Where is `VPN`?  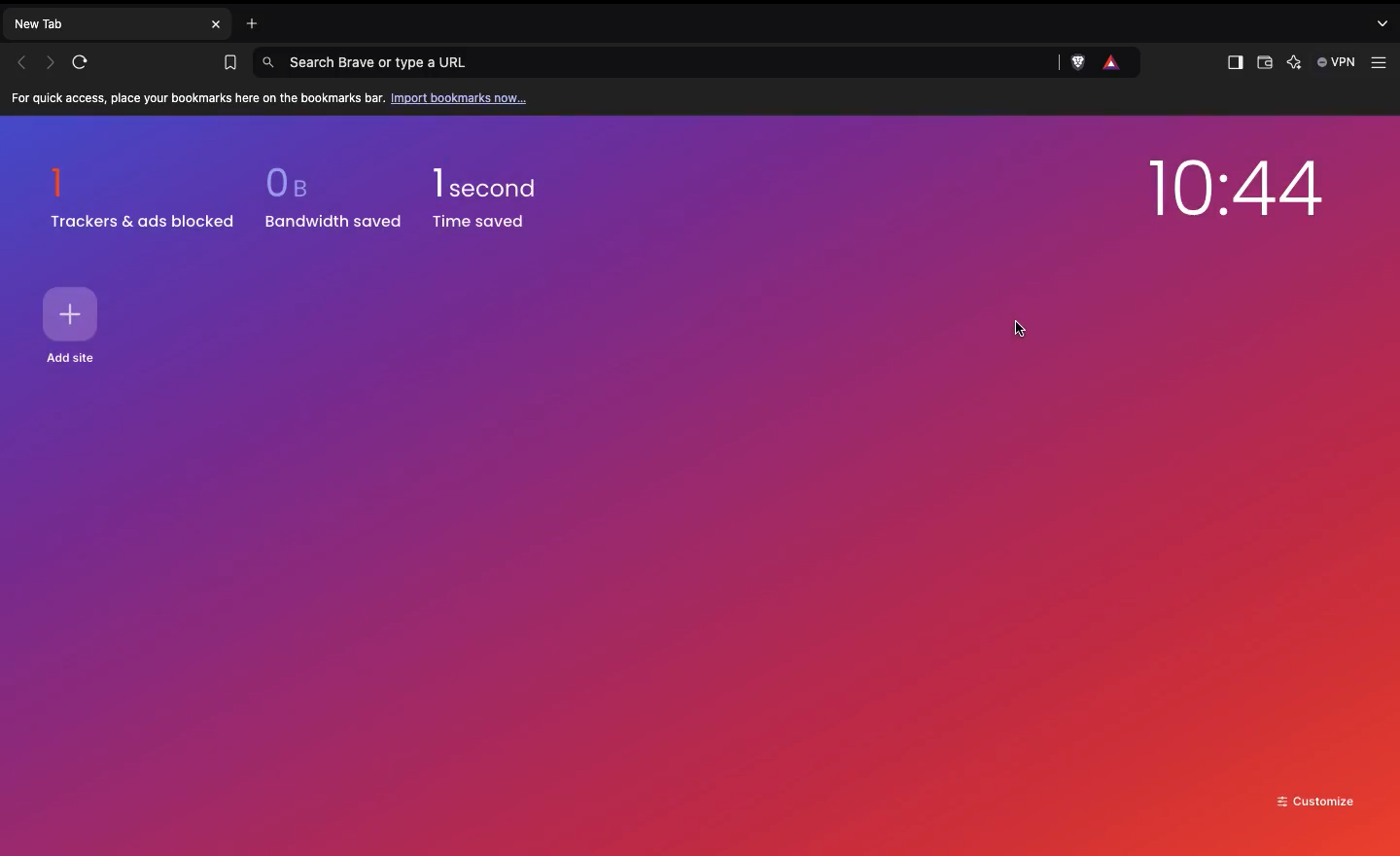
VPN is located at coordinates (1338, 62).